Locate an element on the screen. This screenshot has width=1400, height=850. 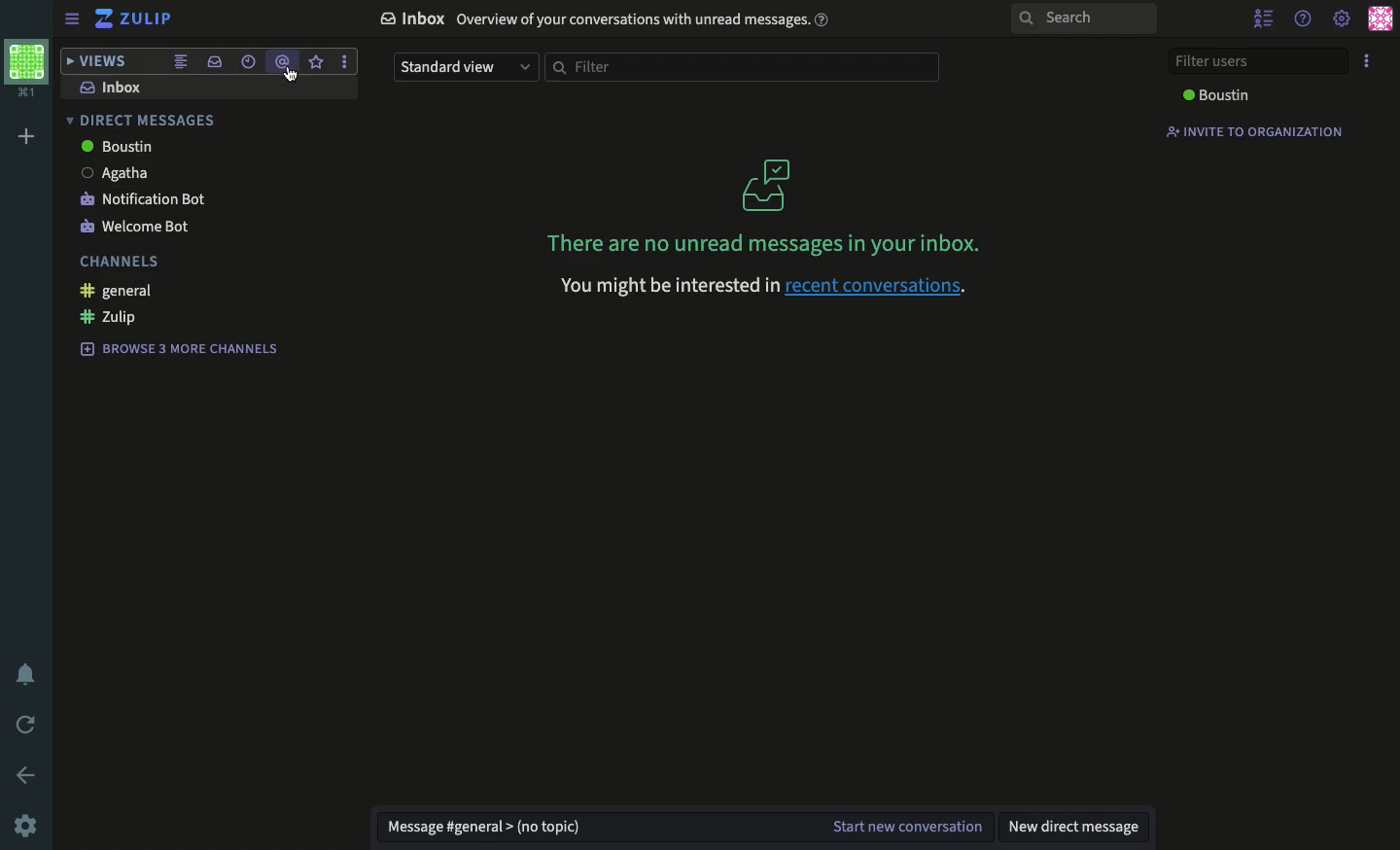
inbox is located at coordinates (217, 59).